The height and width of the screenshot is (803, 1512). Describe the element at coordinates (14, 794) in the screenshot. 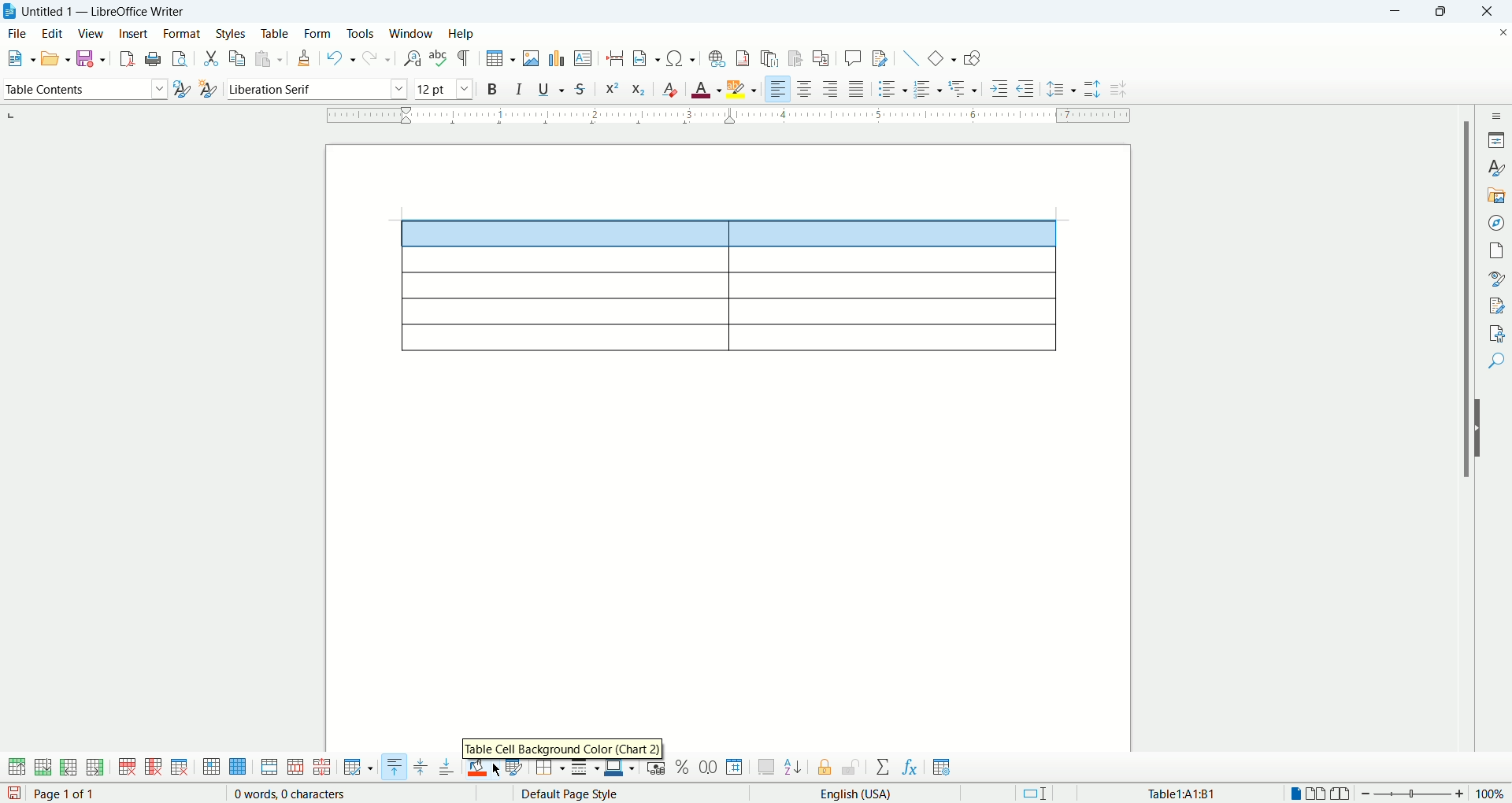

I see `save` at that location.